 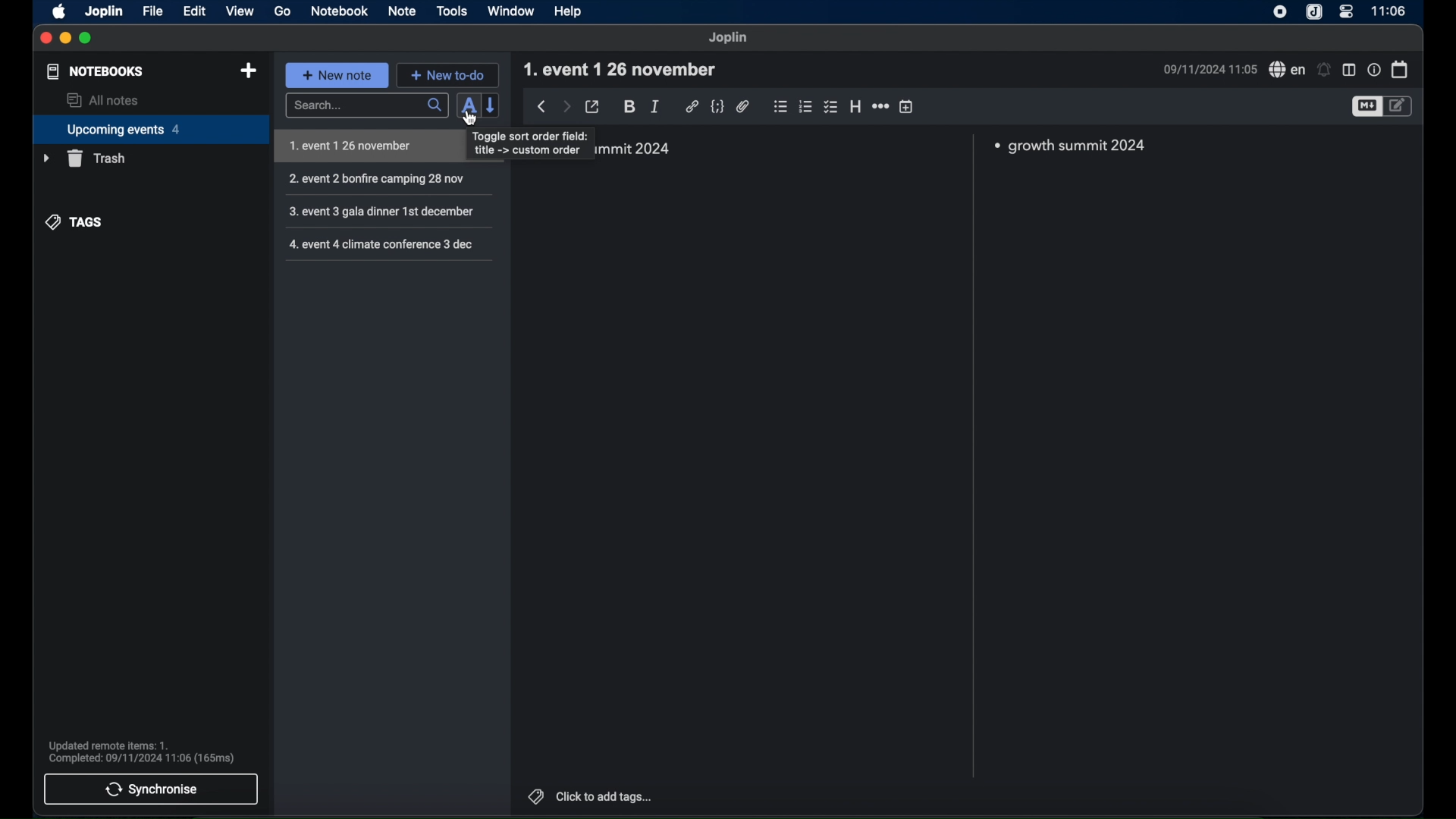 What do you see at coordinates (341, 11) in the screenshot?
I see `notebook` at bounding box center [341, 11].